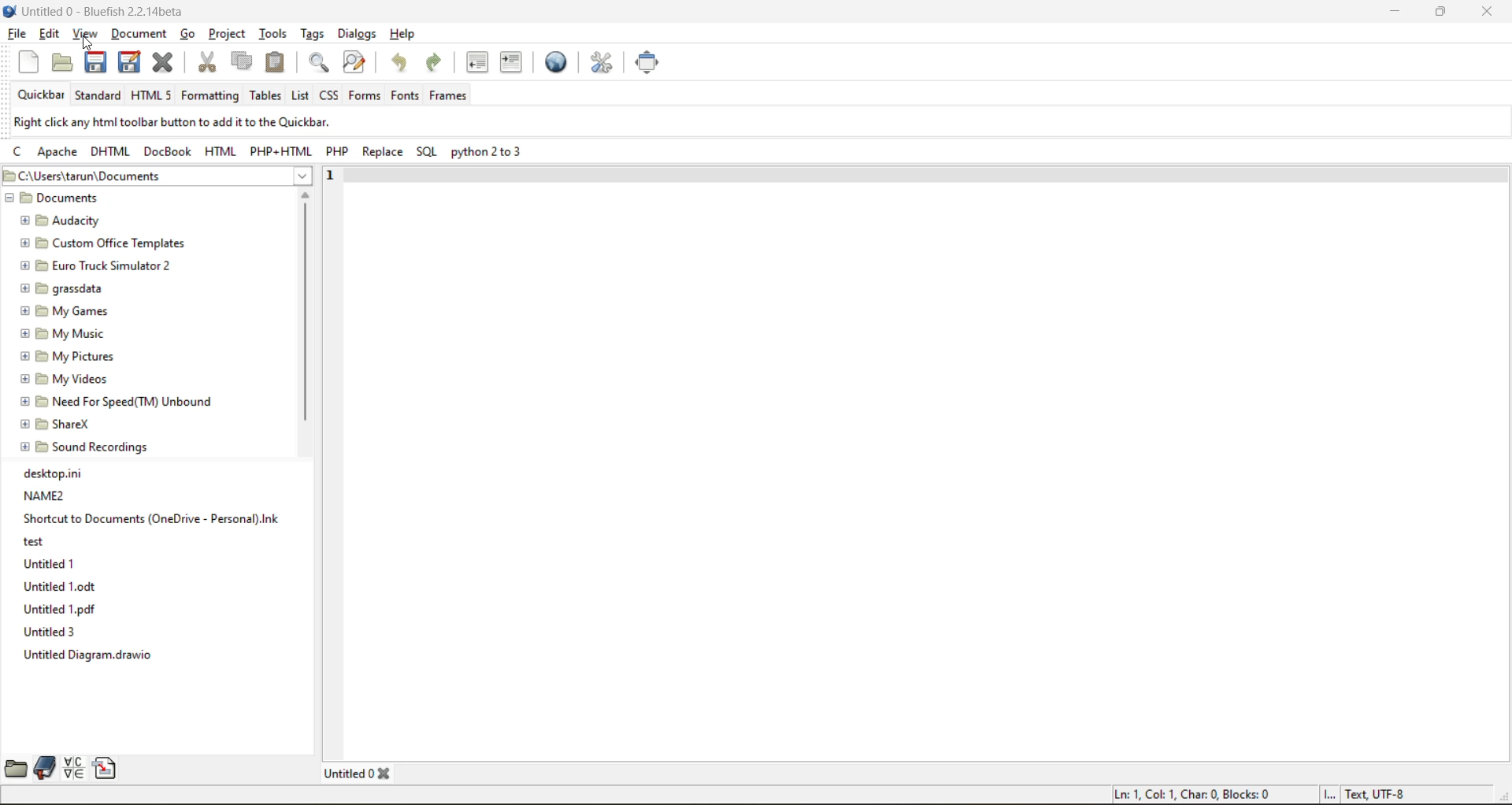  What do you see at coordinates (73, 356) in the screenshot?
I see `My Pictures` at bounding box center [73, 356].